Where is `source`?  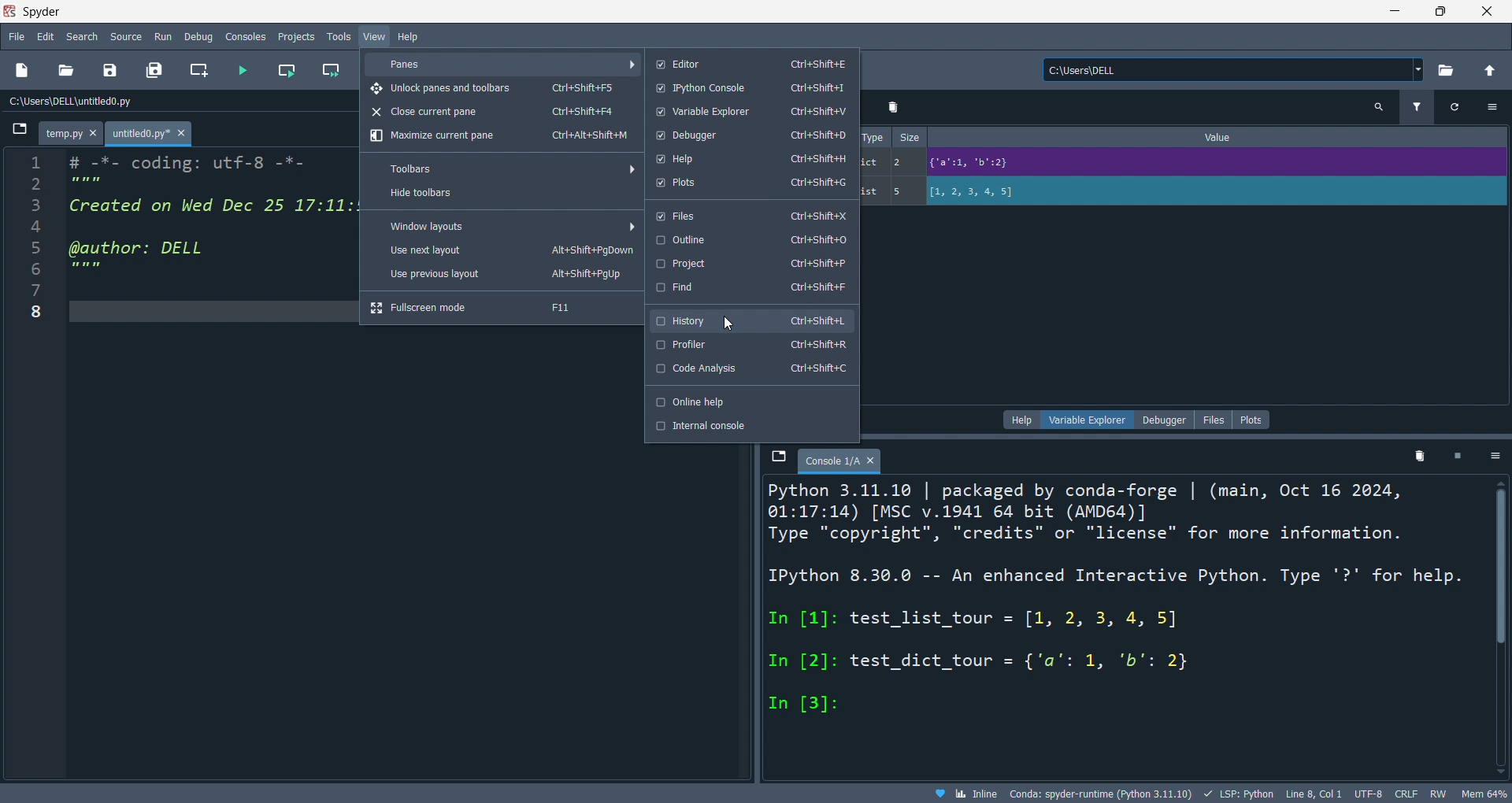
source is located at coordinates (125, 35).